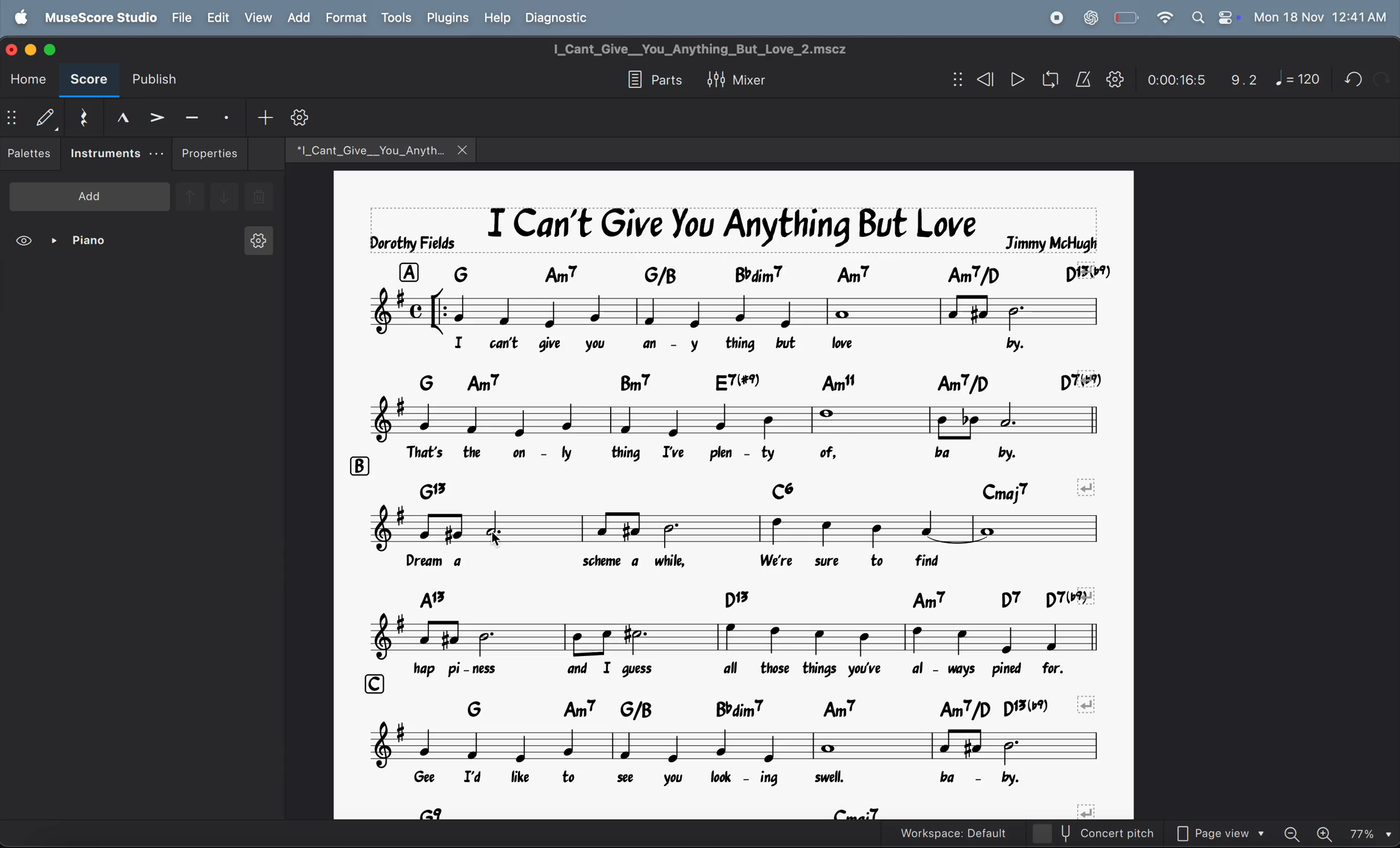 This screenshot has width=1400, height=848. What do you see at coordinates (1126, 16) in the screenshot?
I see `battery` at bounding box center [1126, 16].